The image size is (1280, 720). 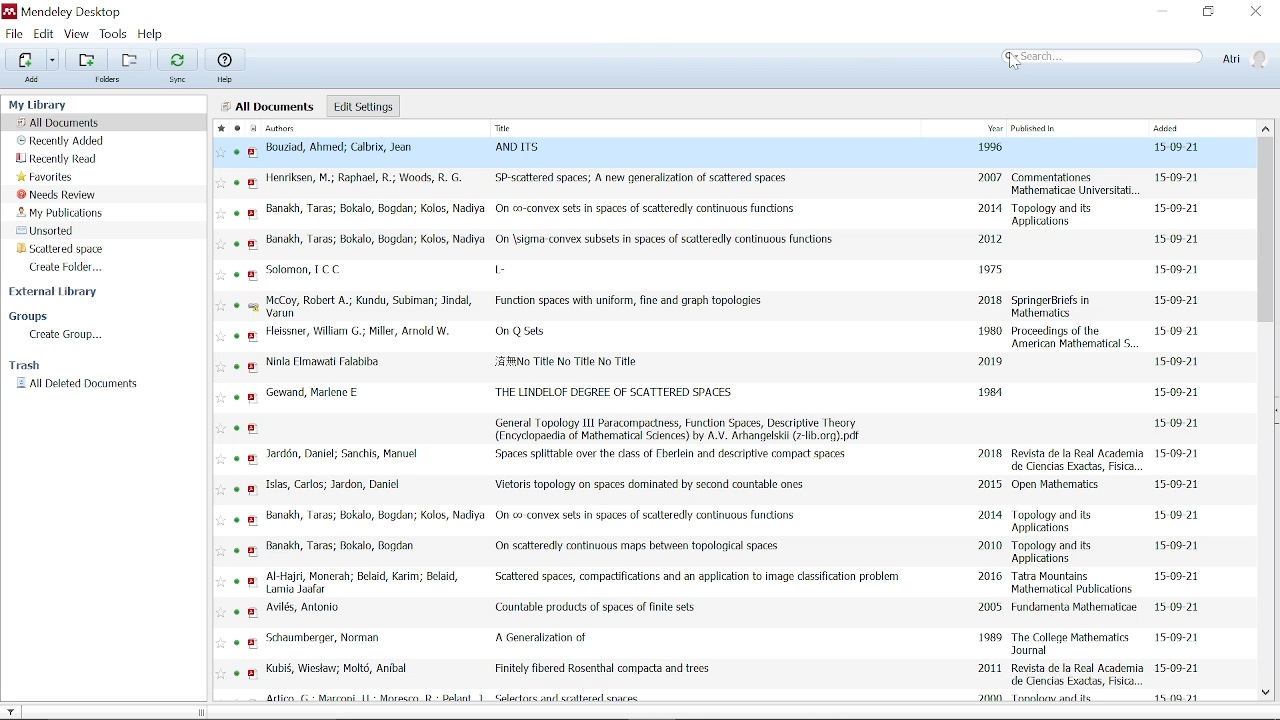 What do you see at coordinates (355, 129) in the screenshot?
I see `Authors` at bounding box center [355, 129].